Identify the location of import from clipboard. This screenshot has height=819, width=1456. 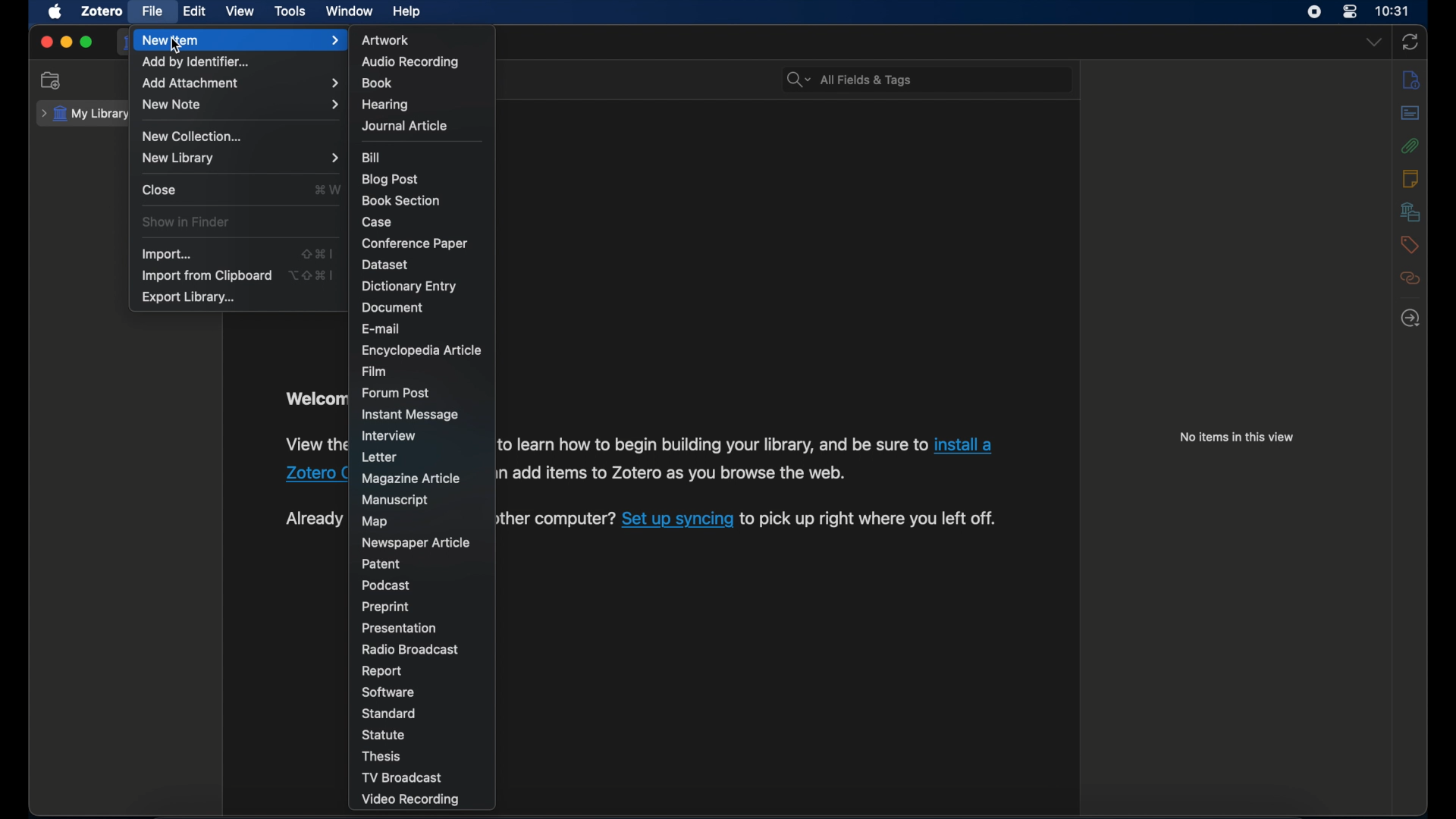
(206, 276).